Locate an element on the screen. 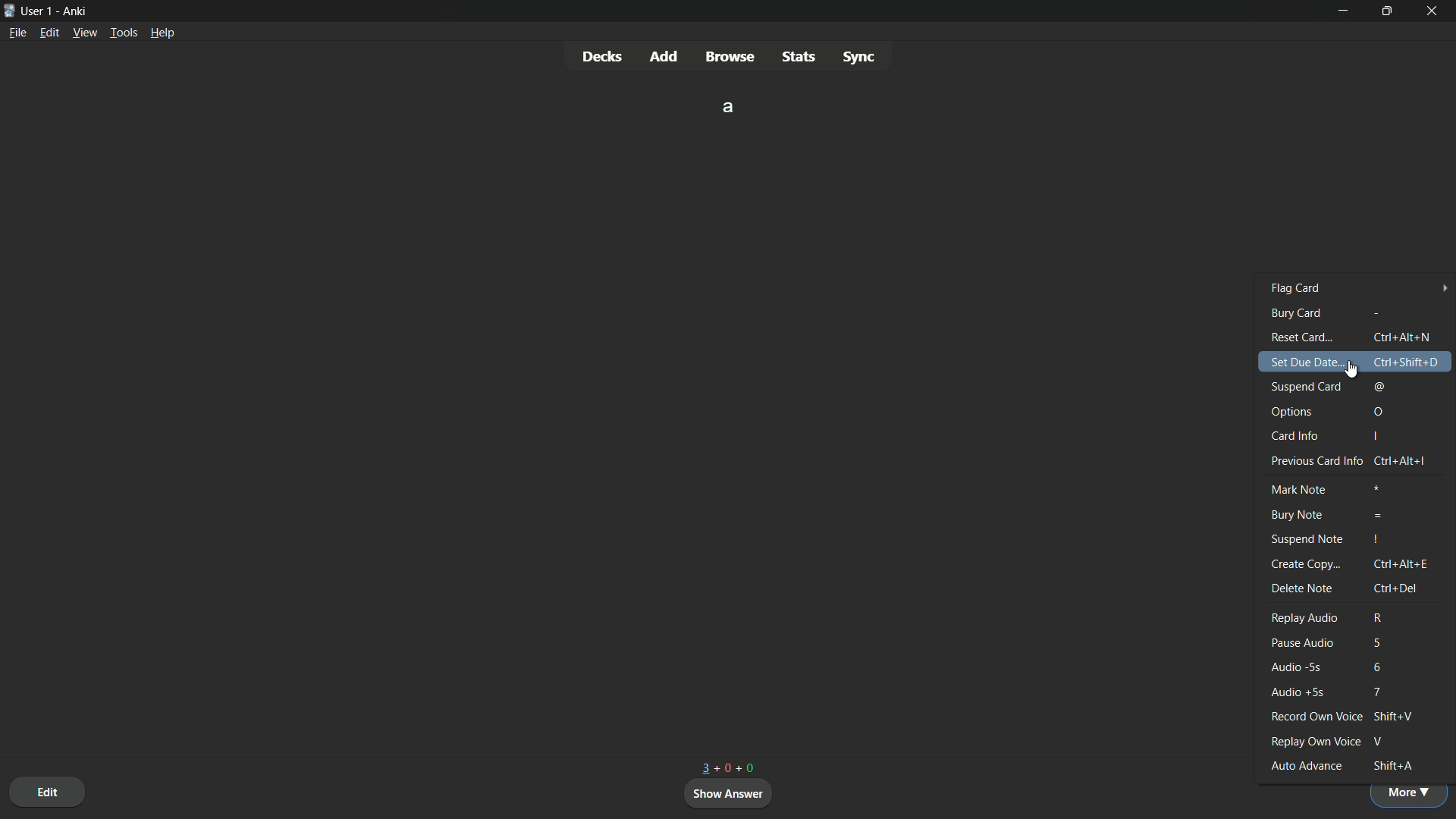 The width and height of the screenshot is (1456, 819). flag card is located at coordinates (1361, 289).